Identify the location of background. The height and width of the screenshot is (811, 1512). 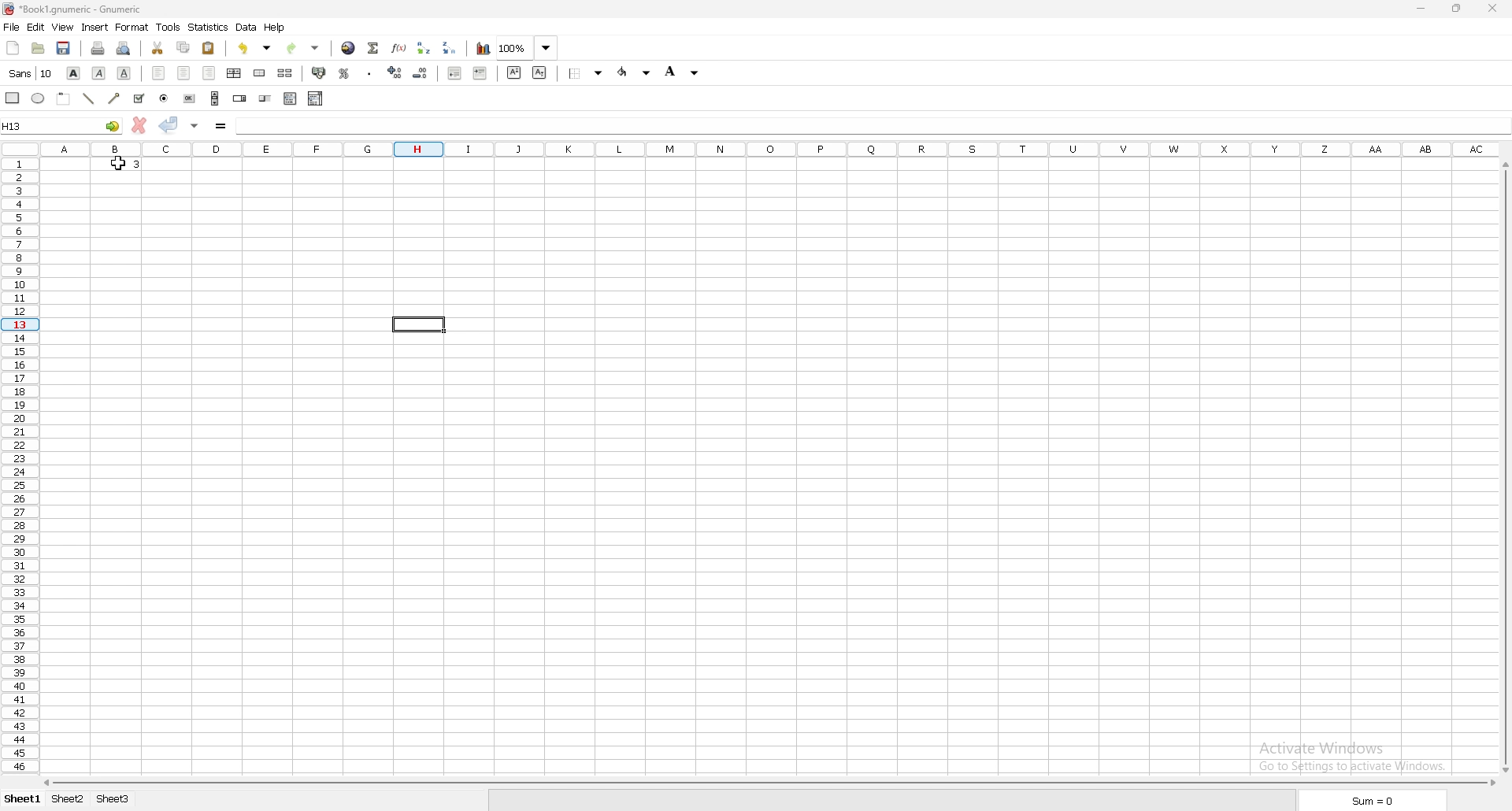
(682, 73).